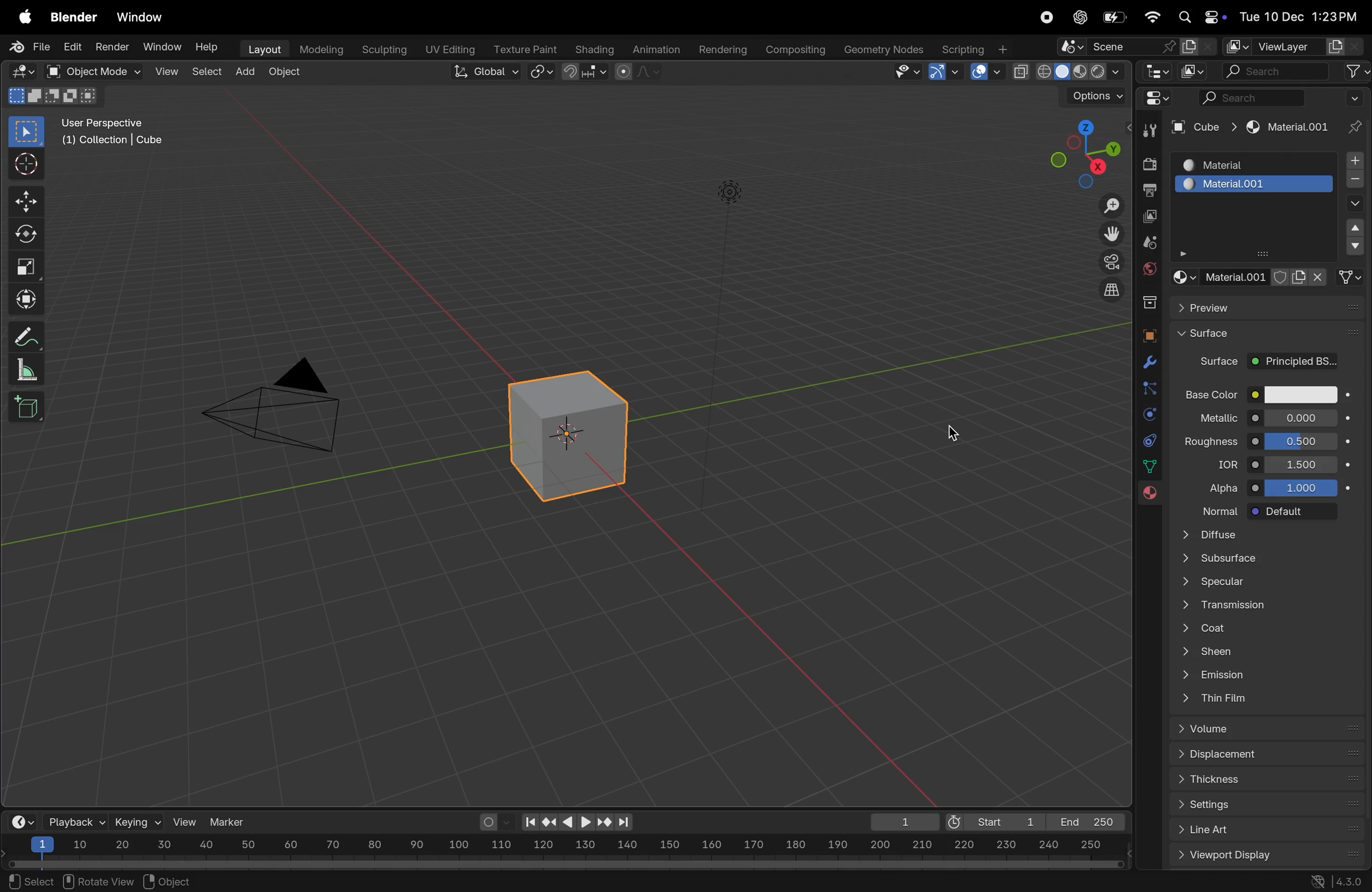  What do you see at coordinates (946, 71) in the screenshot?
I see `show gimzo` at bounding box center [946, 71].